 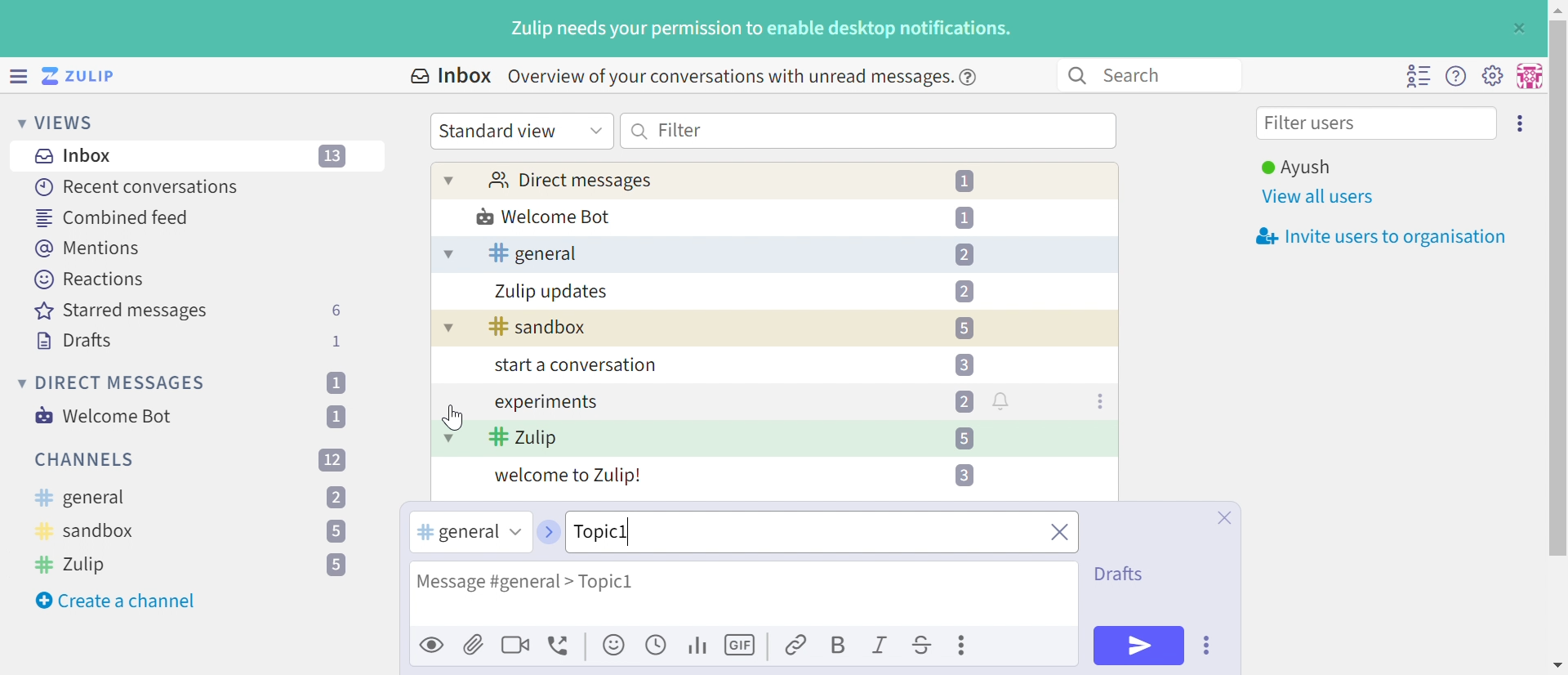 What do you see at coordinates (572, 367) in the screenshot?
I see `start a conversation` at bounding box center [572, 367].